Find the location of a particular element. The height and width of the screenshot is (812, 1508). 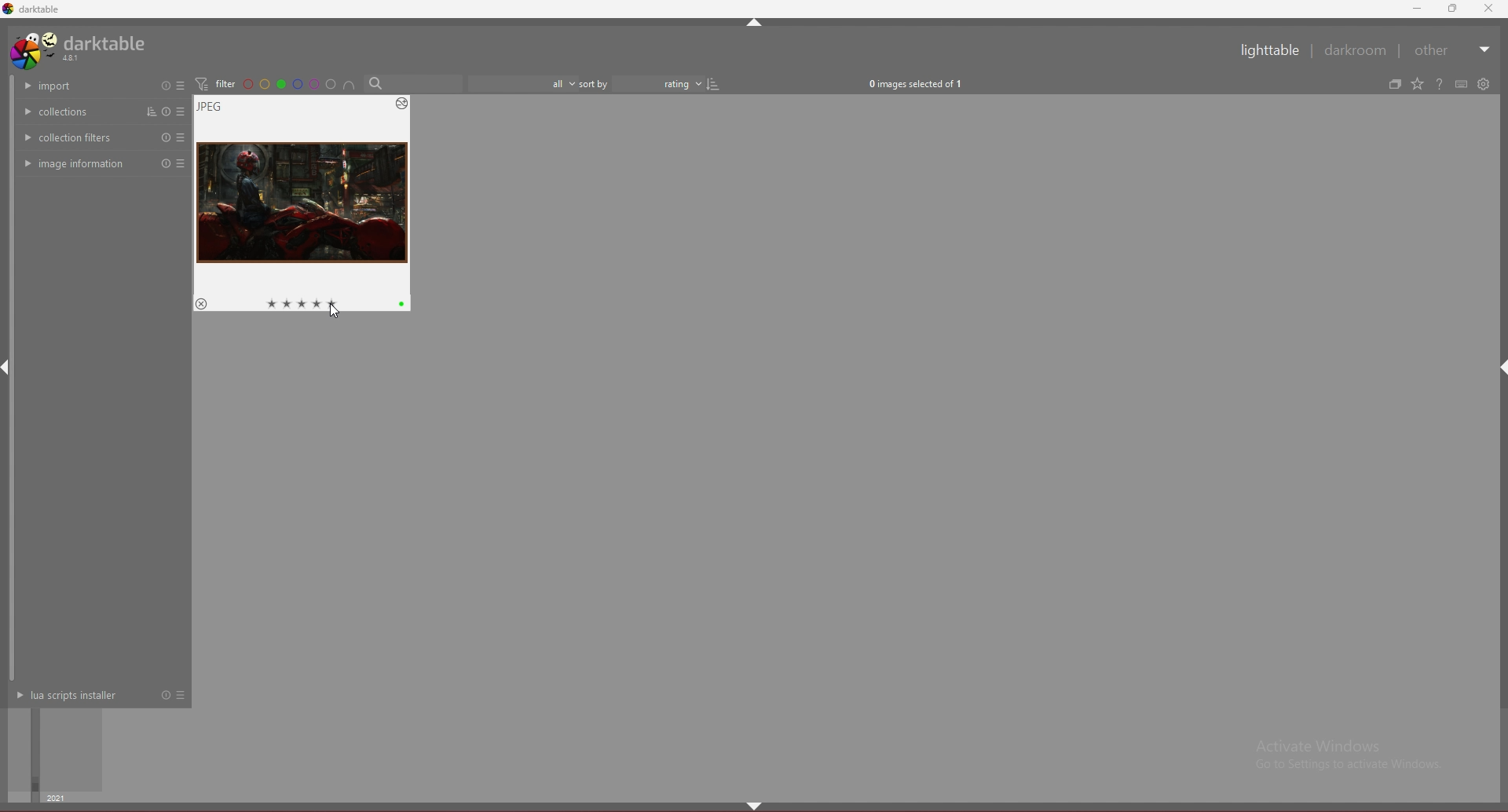

scroll bar is located at coordinates (13, 376).